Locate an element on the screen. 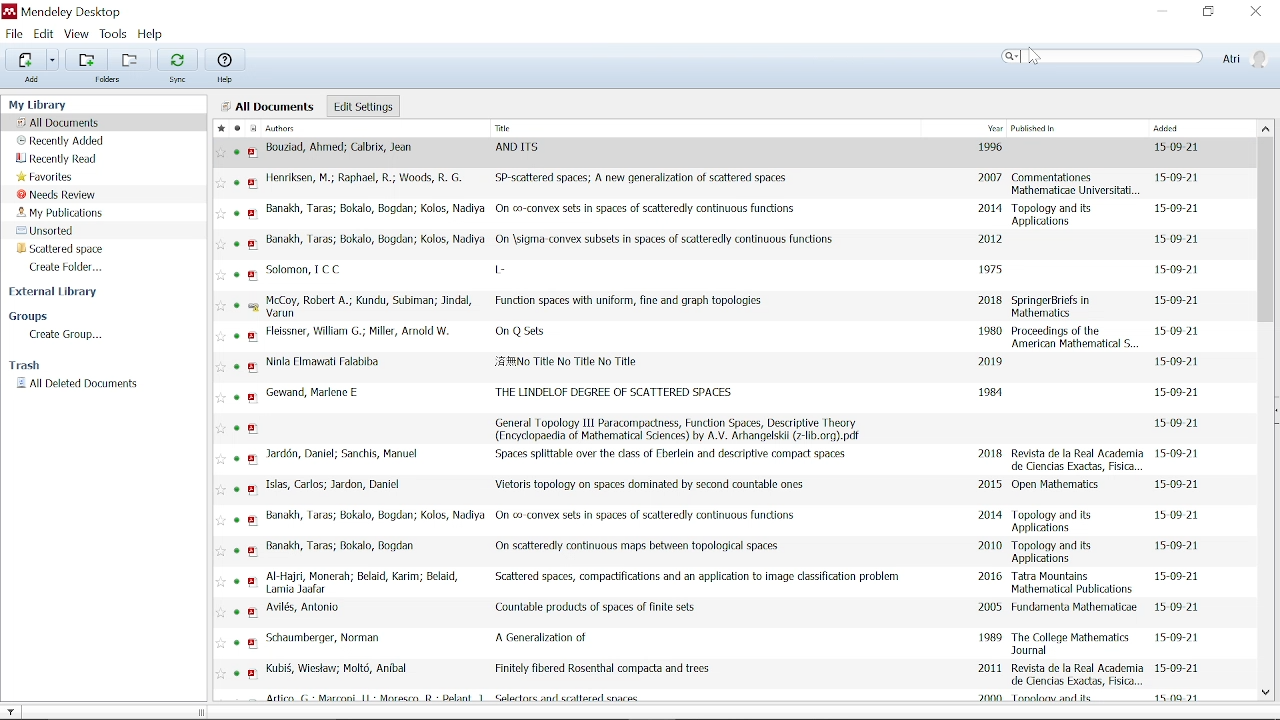 The height and width of the screenshot is (720, 1280). Authors is located at coordinates (355, 129).